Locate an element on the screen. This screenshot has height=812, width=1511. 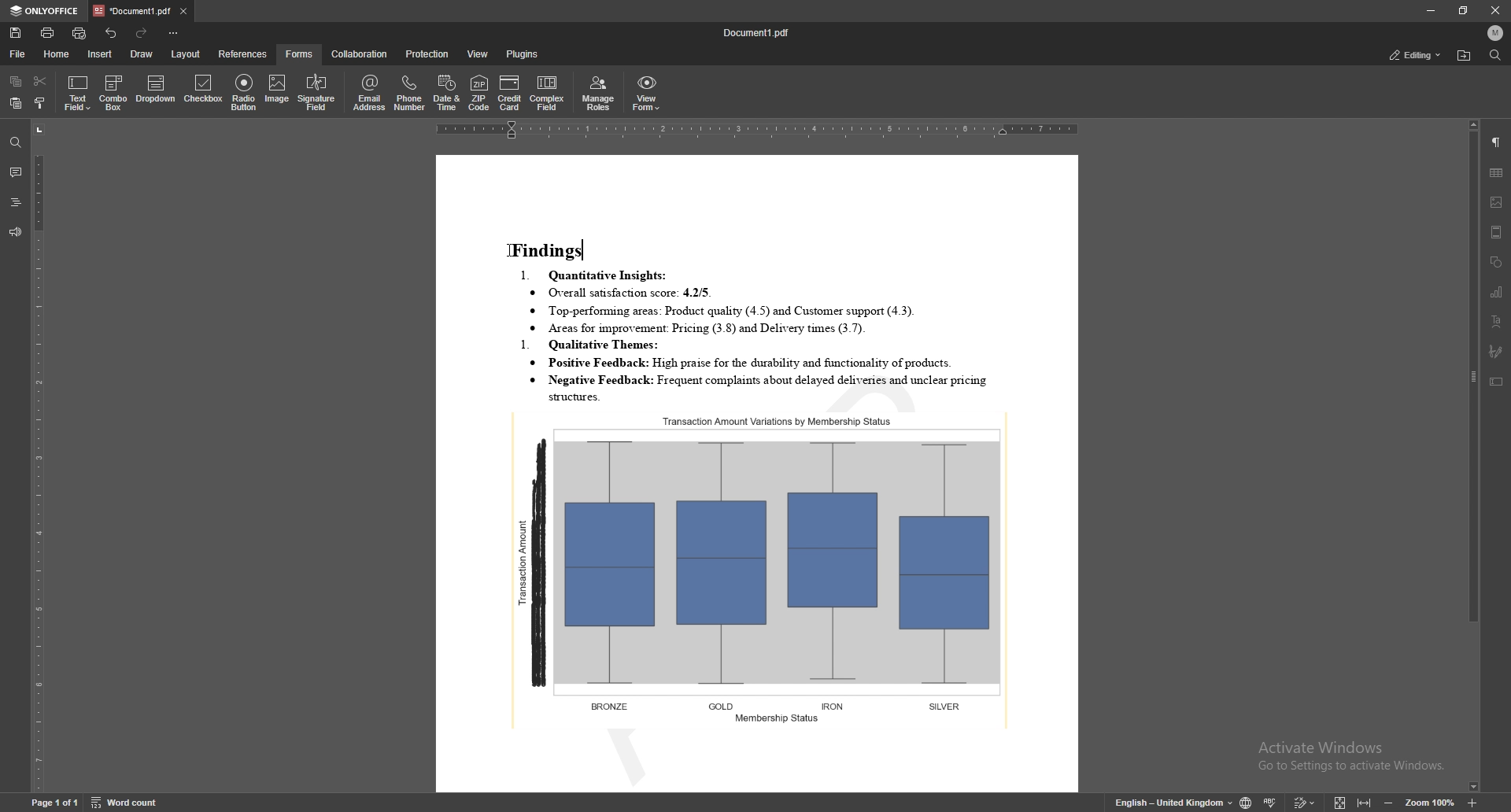
credit card is located at coordinates (511, 93).